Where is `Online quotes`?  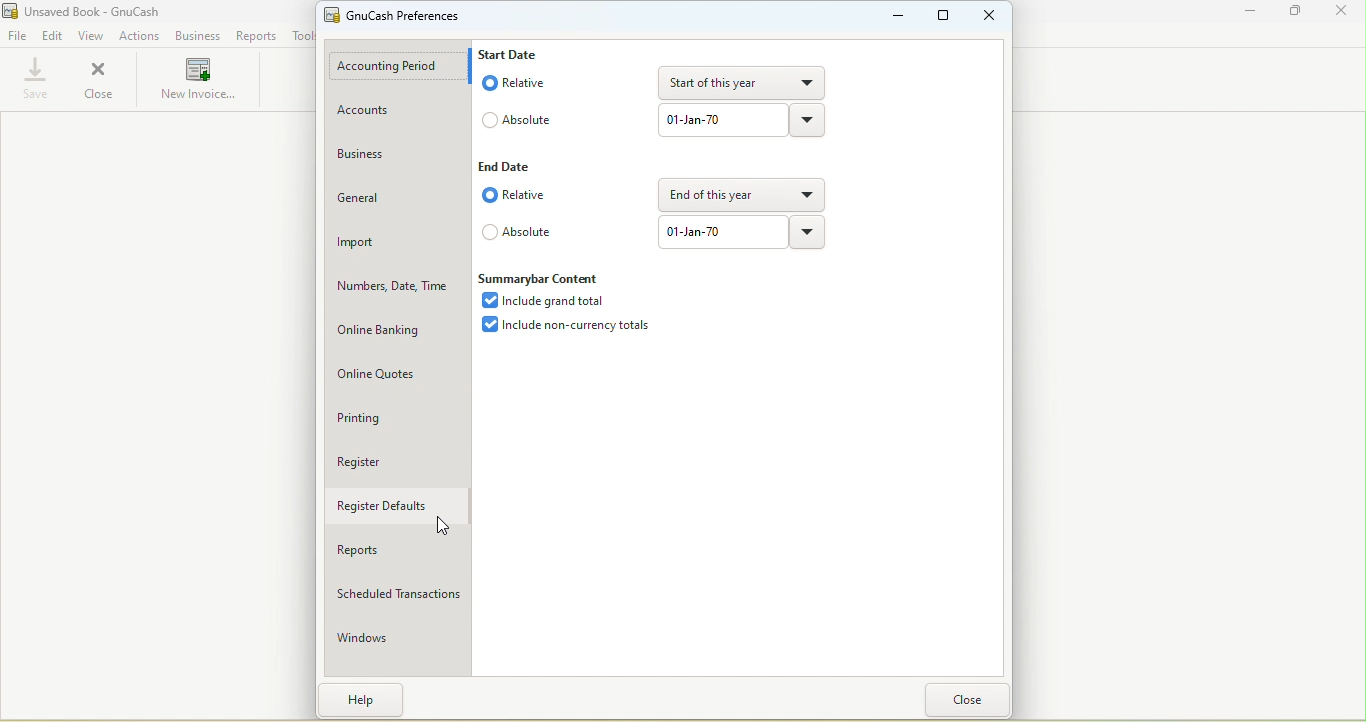
Online quotes is located at coordinates (396, 373).